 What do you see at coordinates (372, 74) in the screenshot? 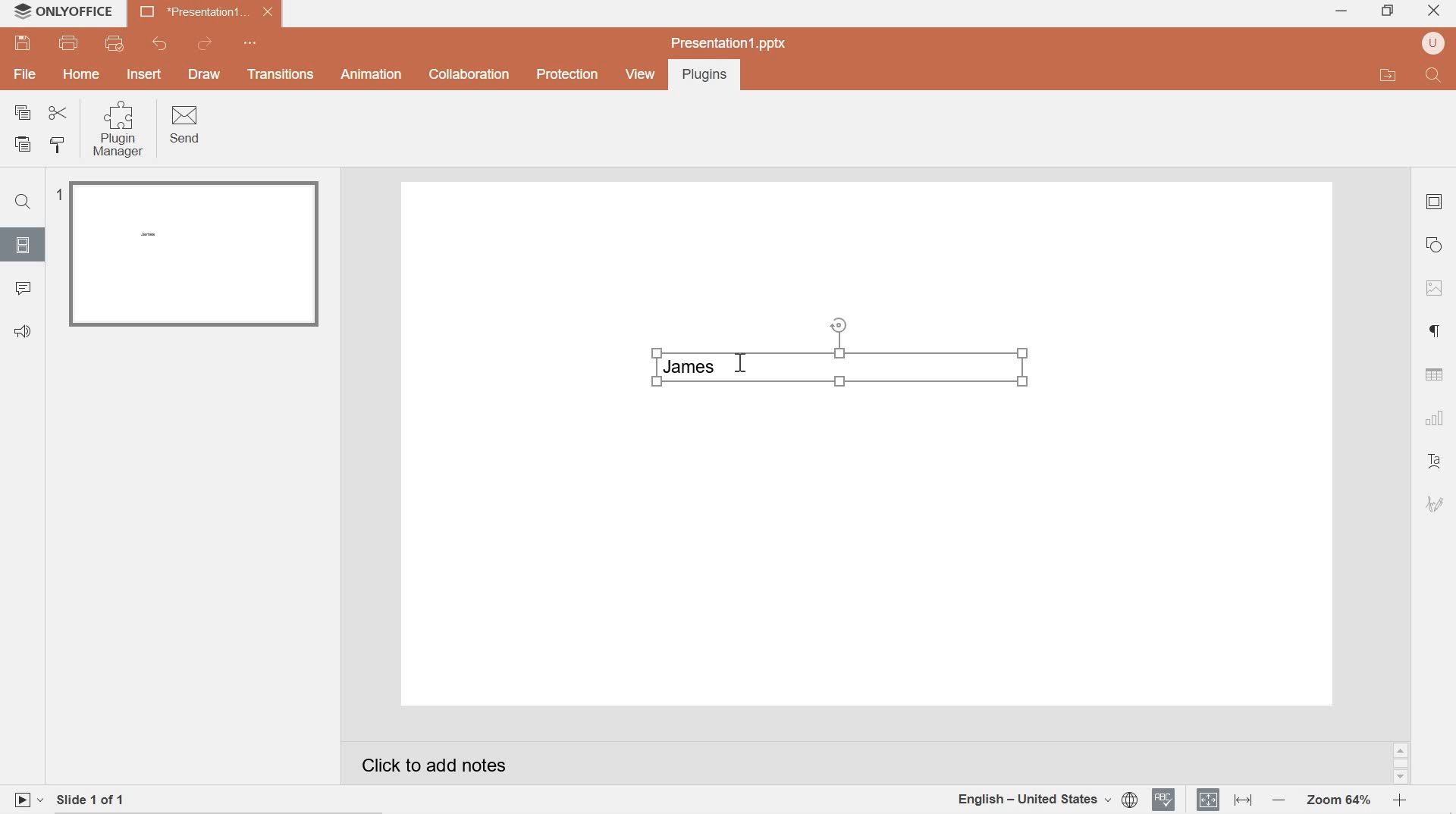
I see `Animation` at bounding box center [372, 74].